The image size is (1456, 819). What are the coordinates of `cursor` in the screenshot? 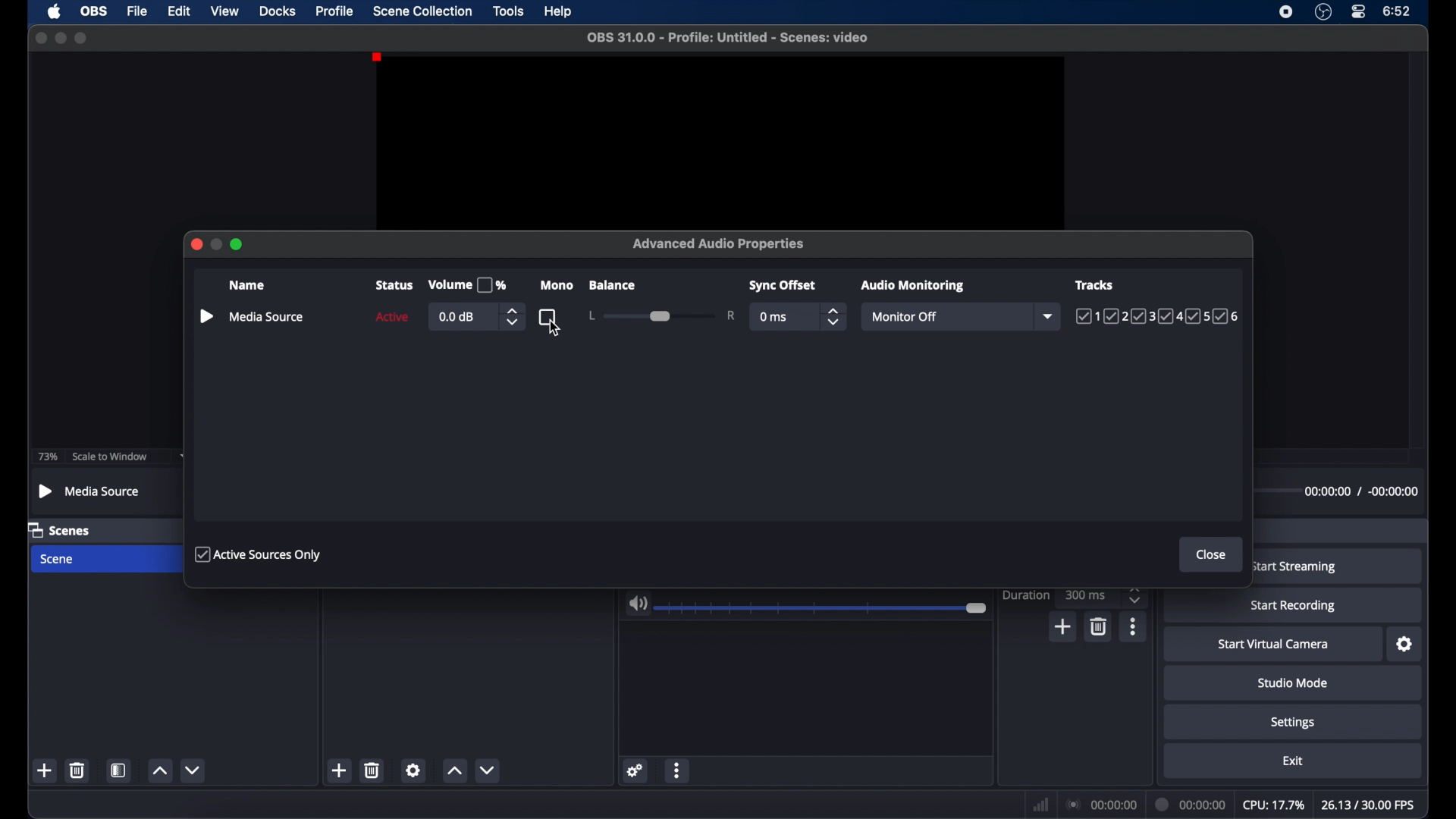 It's located at (554, 331).